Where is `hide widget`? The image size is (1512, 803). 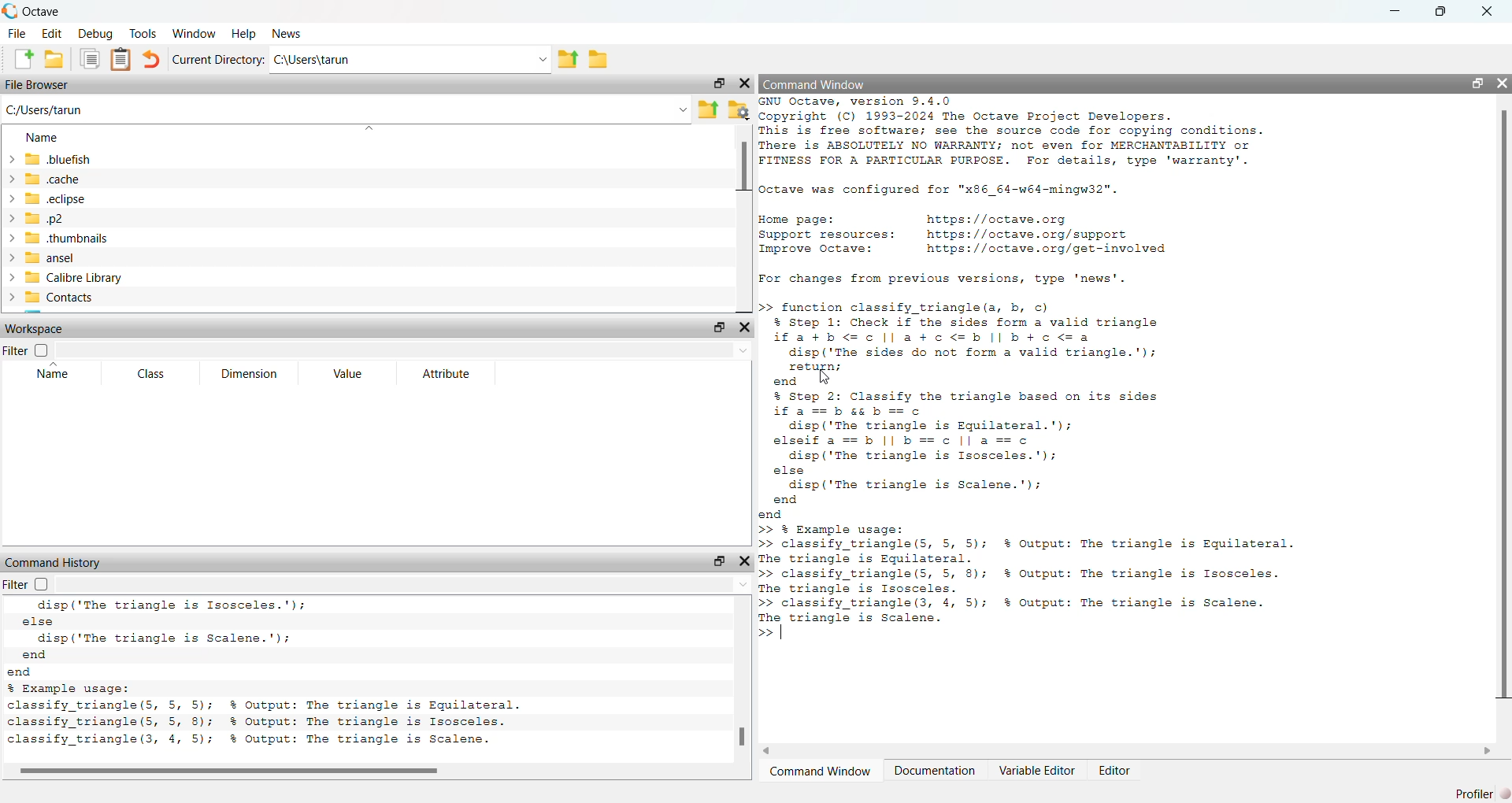 hide widget is located at coordinates (745, 327).